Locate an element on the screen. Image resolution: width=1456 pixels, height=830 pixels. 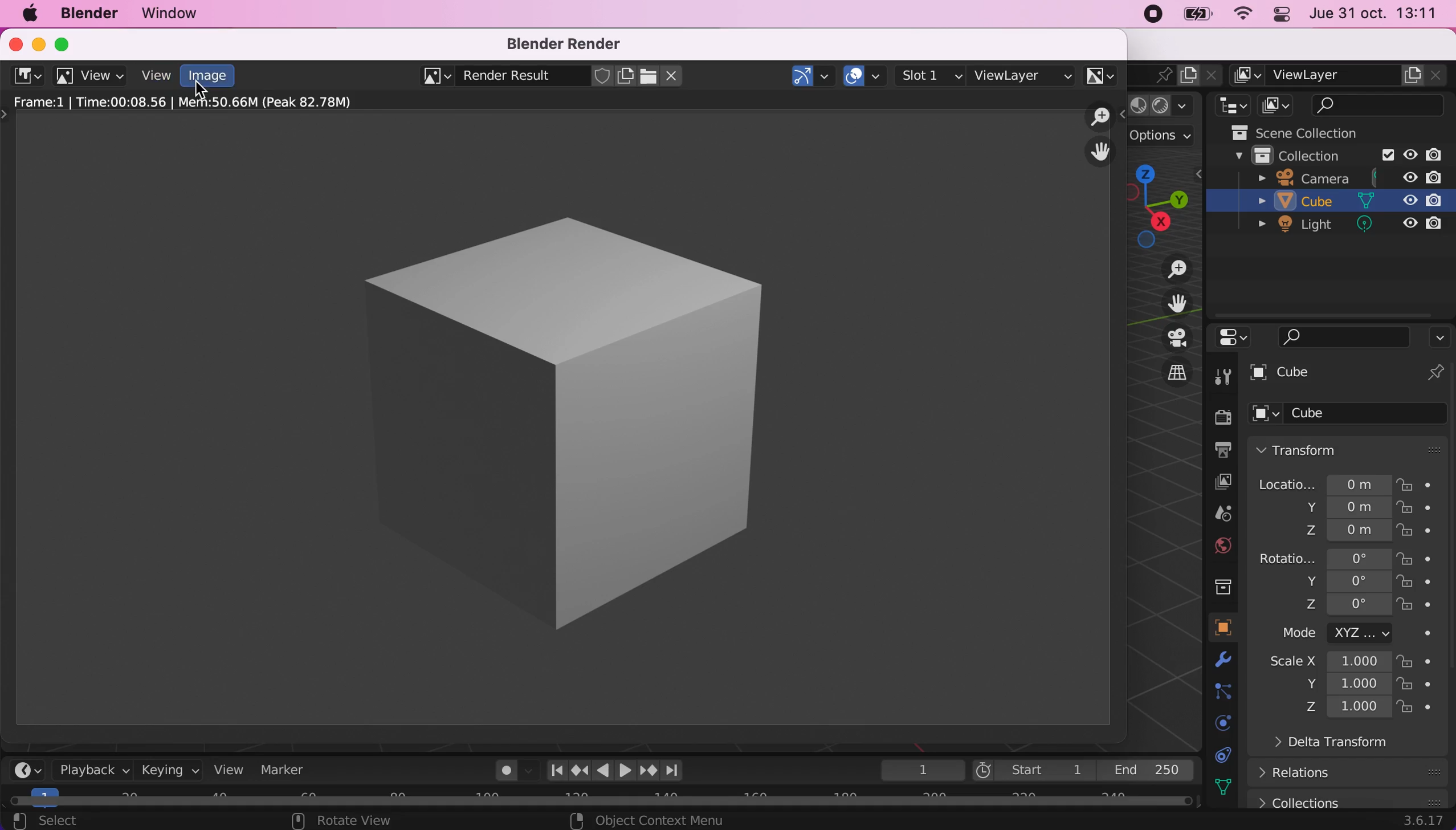
options is located at coordinates (1439, 337).